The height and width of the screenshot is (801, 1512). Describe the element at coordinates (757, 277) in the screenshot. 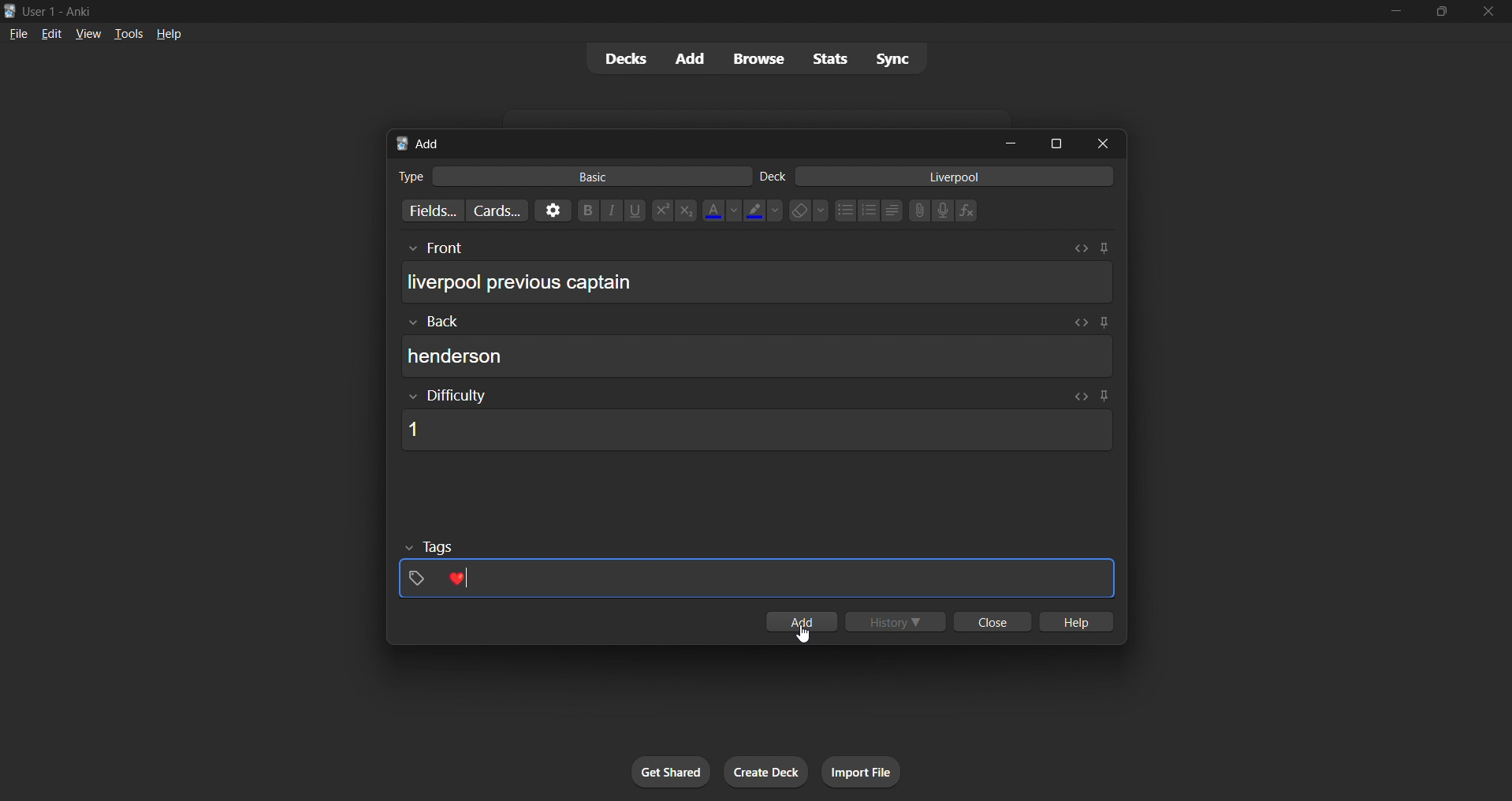

I see `card front input box` at that location.